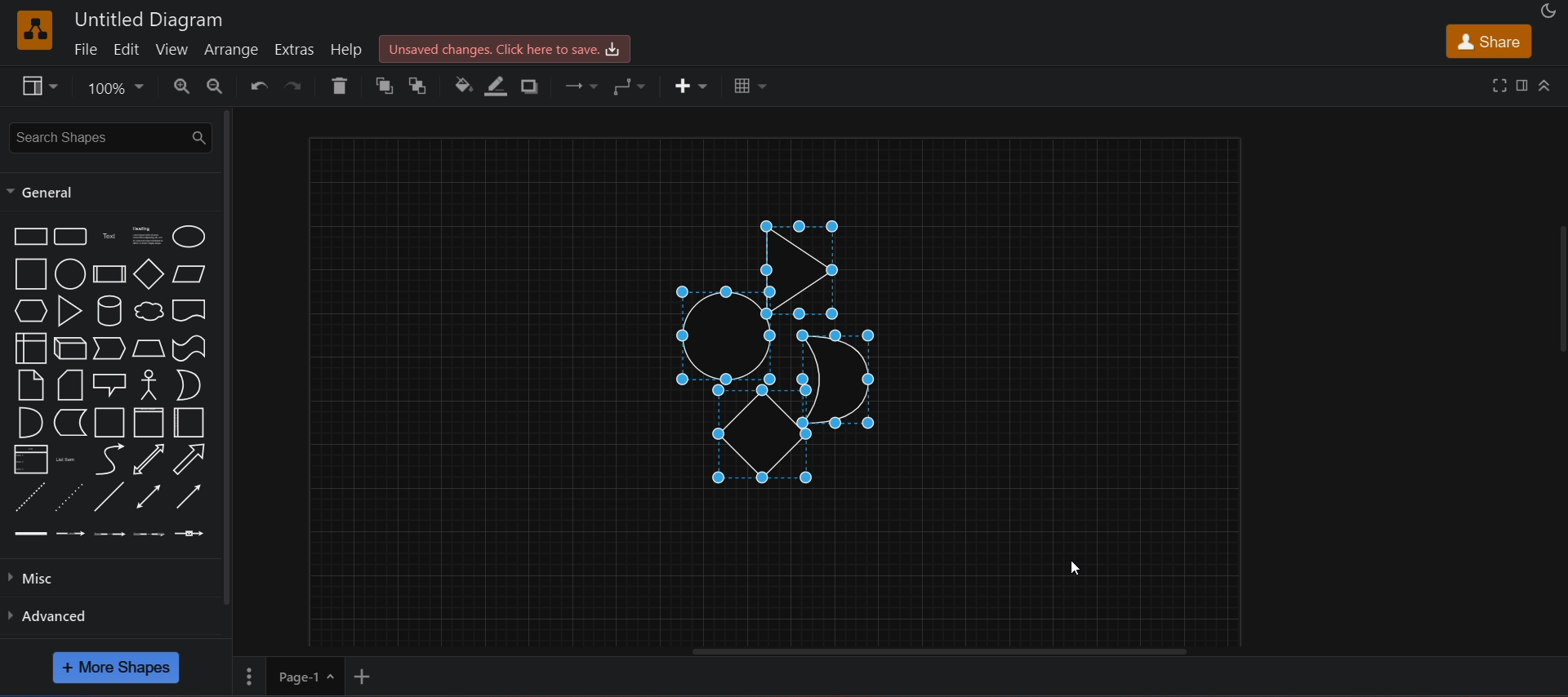 This screenshot has width=1568, height=697. What do you see at coordinates (148, 274) in the screenshot?
I see `diamond` at bounding box center [148, 274].